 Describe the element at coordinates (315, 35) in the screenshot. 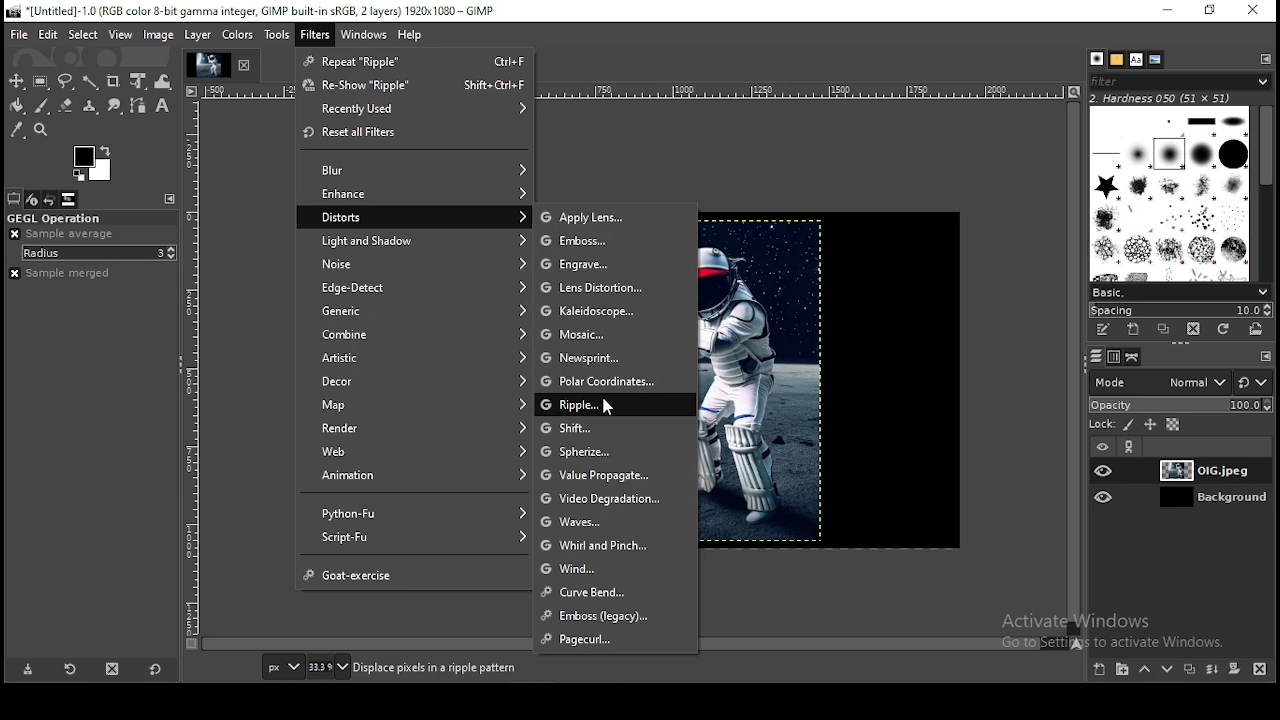

I see `filters` at that location.